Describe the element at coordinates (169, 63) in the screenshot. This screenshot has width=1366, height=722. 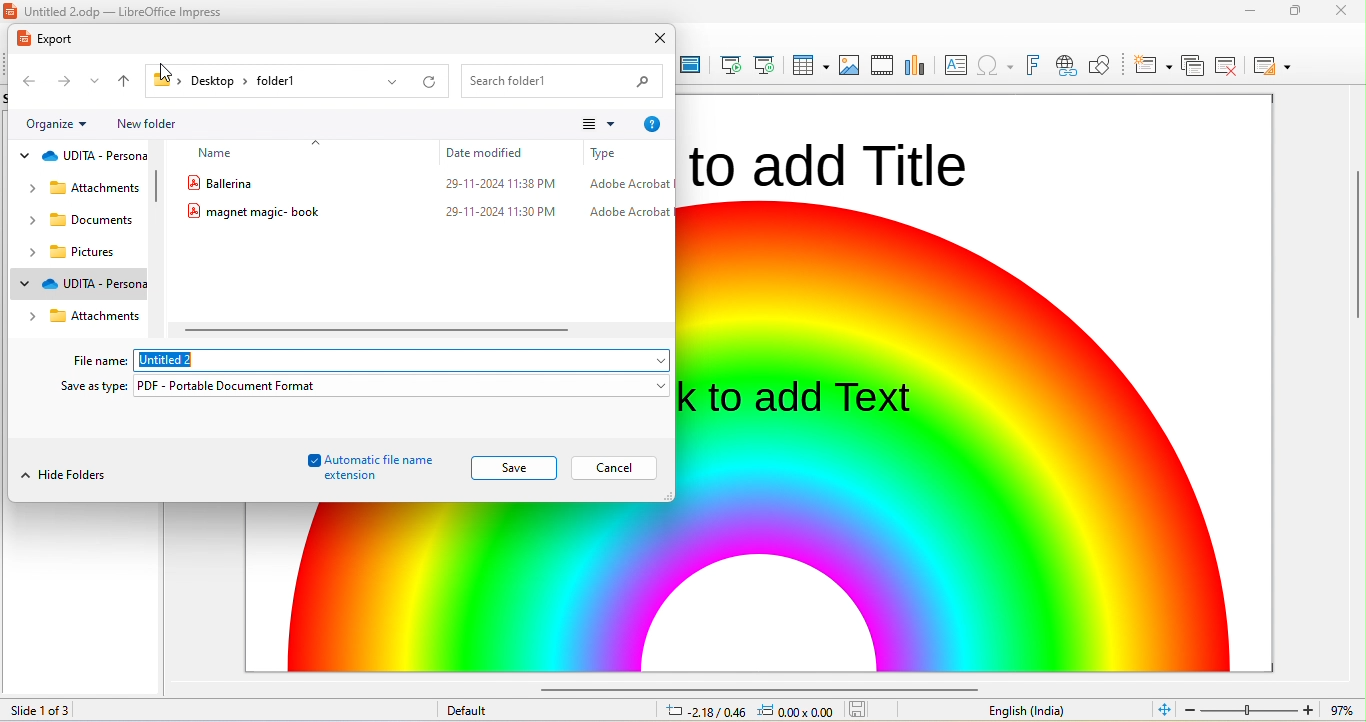
I see `cursor` at that location.